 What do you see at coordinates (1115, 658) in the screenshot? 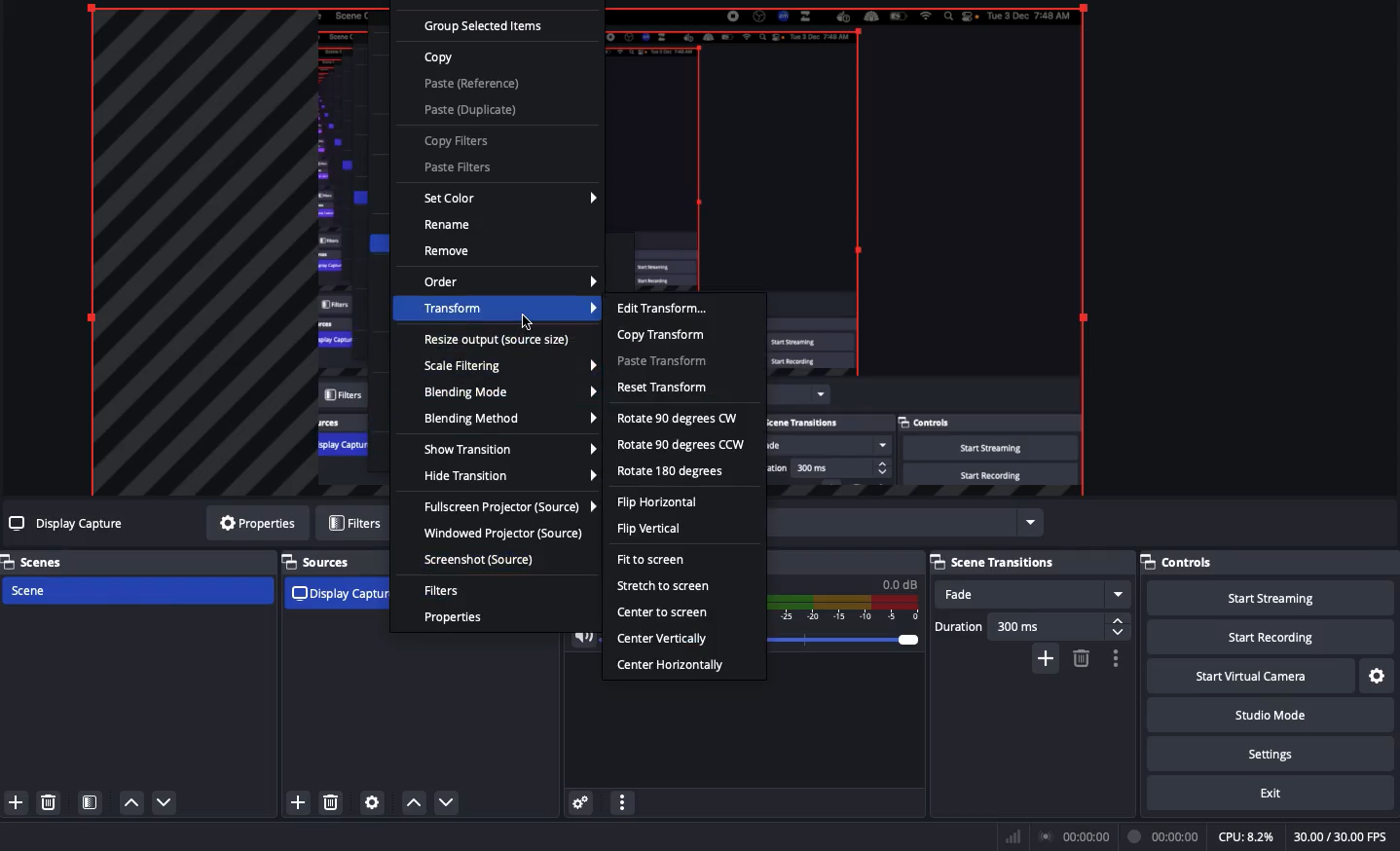
I see `Transition properties` at bounding box center [1115, 658].